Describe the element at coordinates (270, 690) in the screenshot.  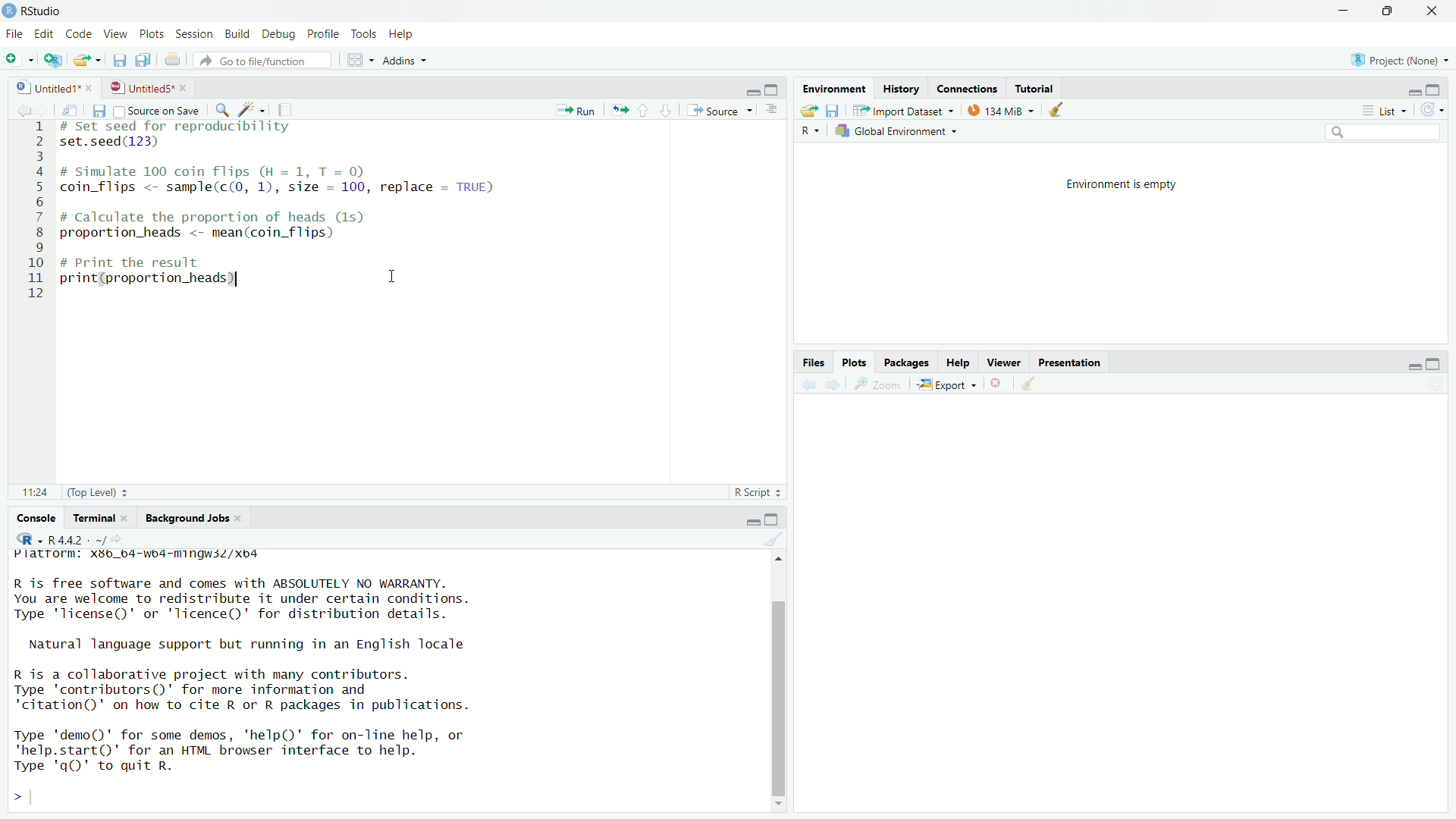
I see `R 1s a collaborative project with many contributors.
Type 'contributors()' for more information and
‘citation()' on how to cite R or R packages in publications.` at that location.